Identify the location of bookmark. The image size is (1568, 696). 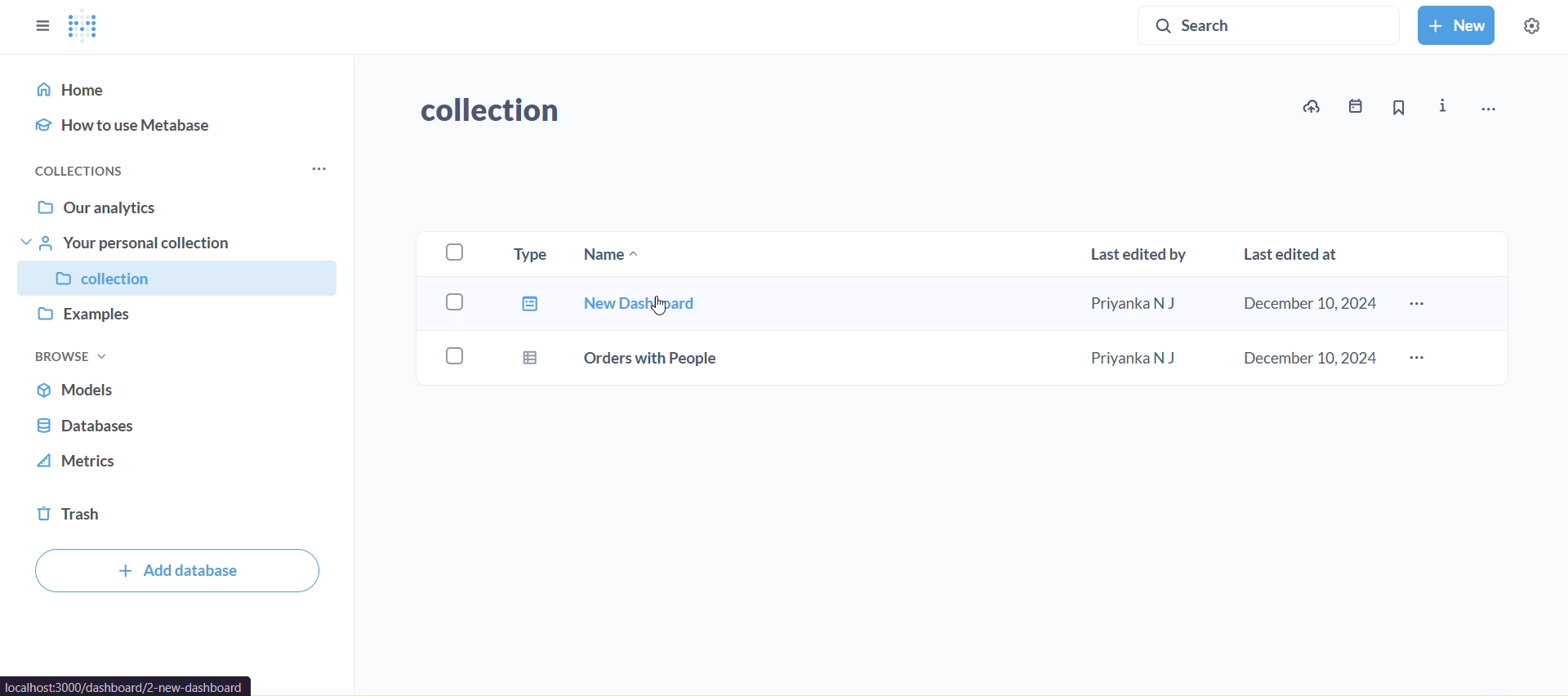
(1399, 107).